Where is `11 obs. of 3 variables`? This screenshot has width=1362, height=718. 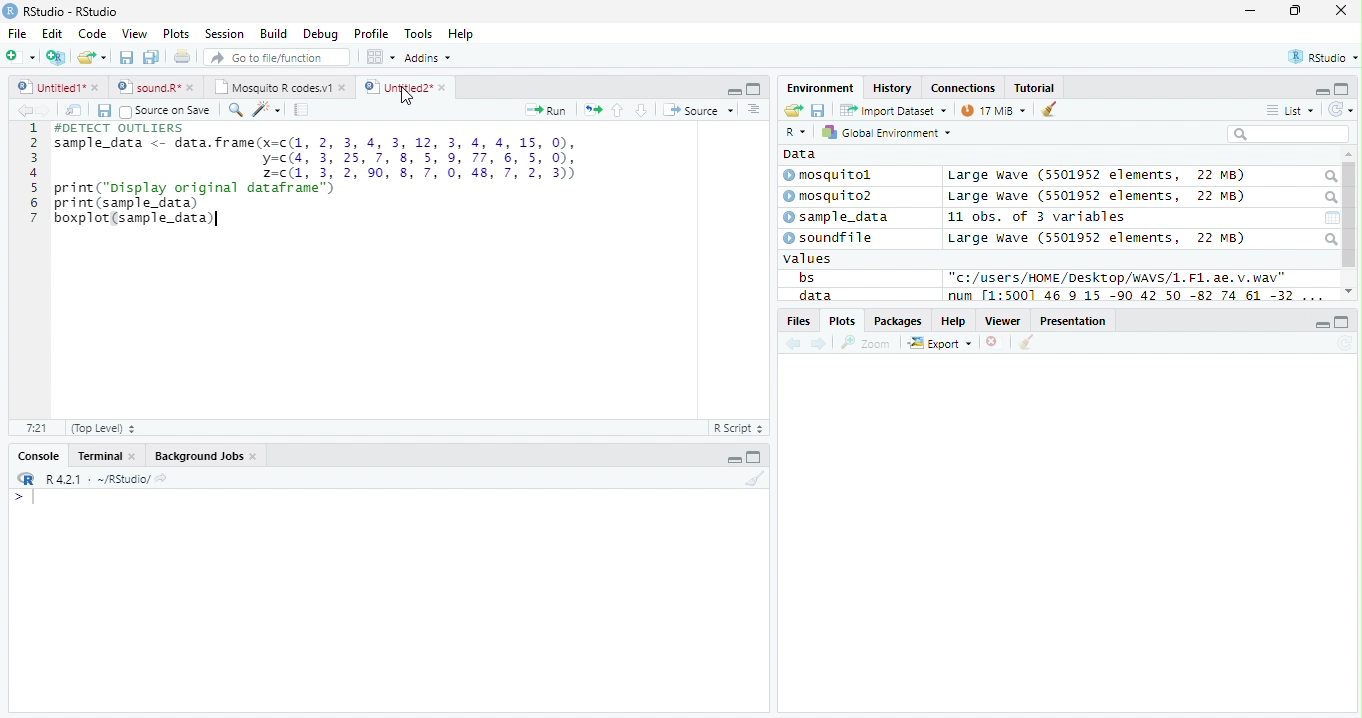
11 obs. of 3 variables is located at coordinates (1037, 217).